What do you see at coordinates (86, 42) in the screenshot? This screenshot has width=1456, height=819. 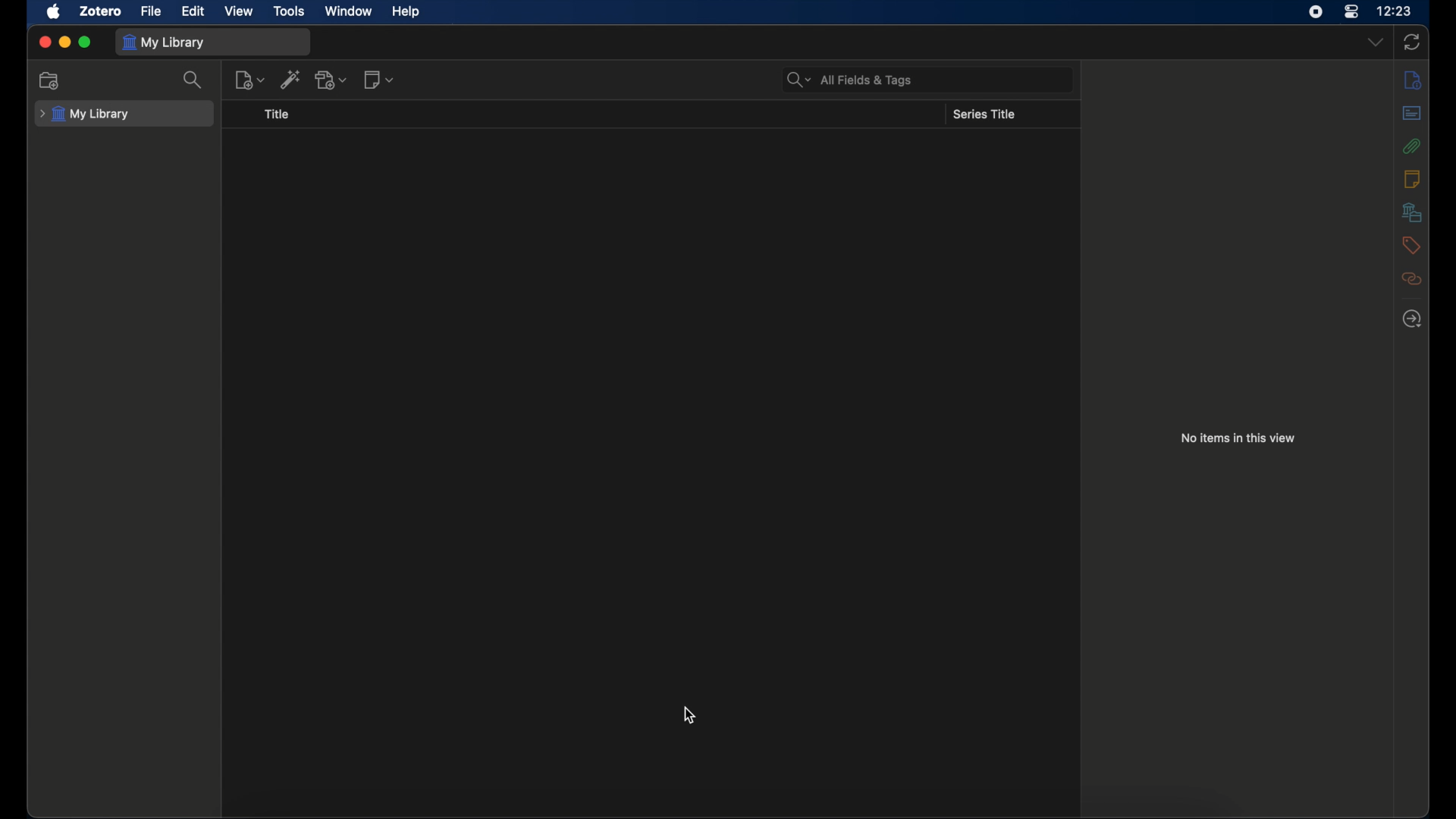 I see `maximize` at bounding box center [86, 42].